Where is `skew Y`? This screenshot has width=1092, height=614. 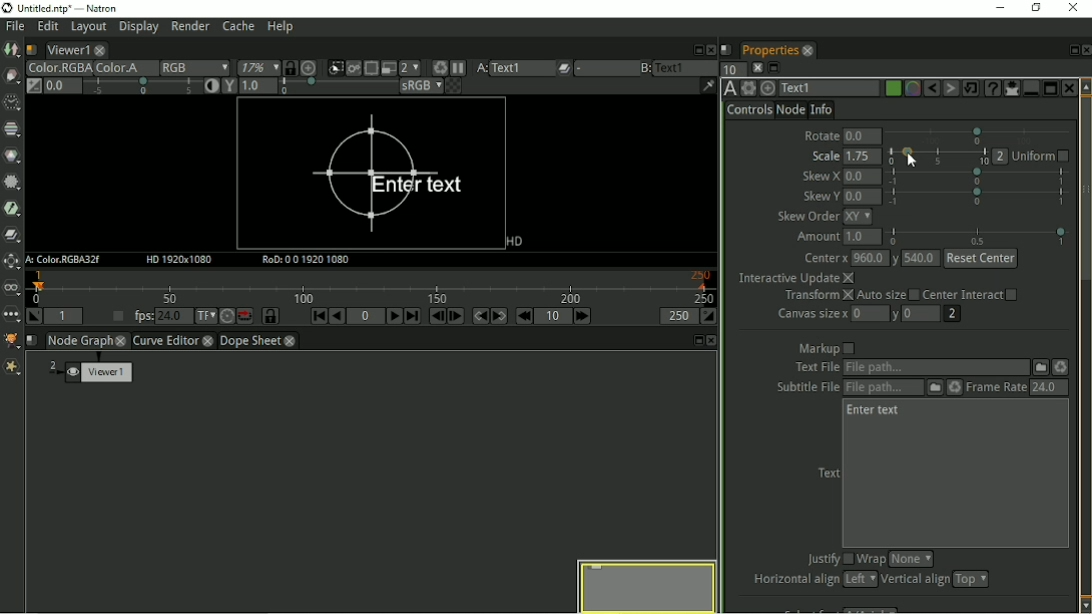 skew Y is located at coordinates (934, 196).